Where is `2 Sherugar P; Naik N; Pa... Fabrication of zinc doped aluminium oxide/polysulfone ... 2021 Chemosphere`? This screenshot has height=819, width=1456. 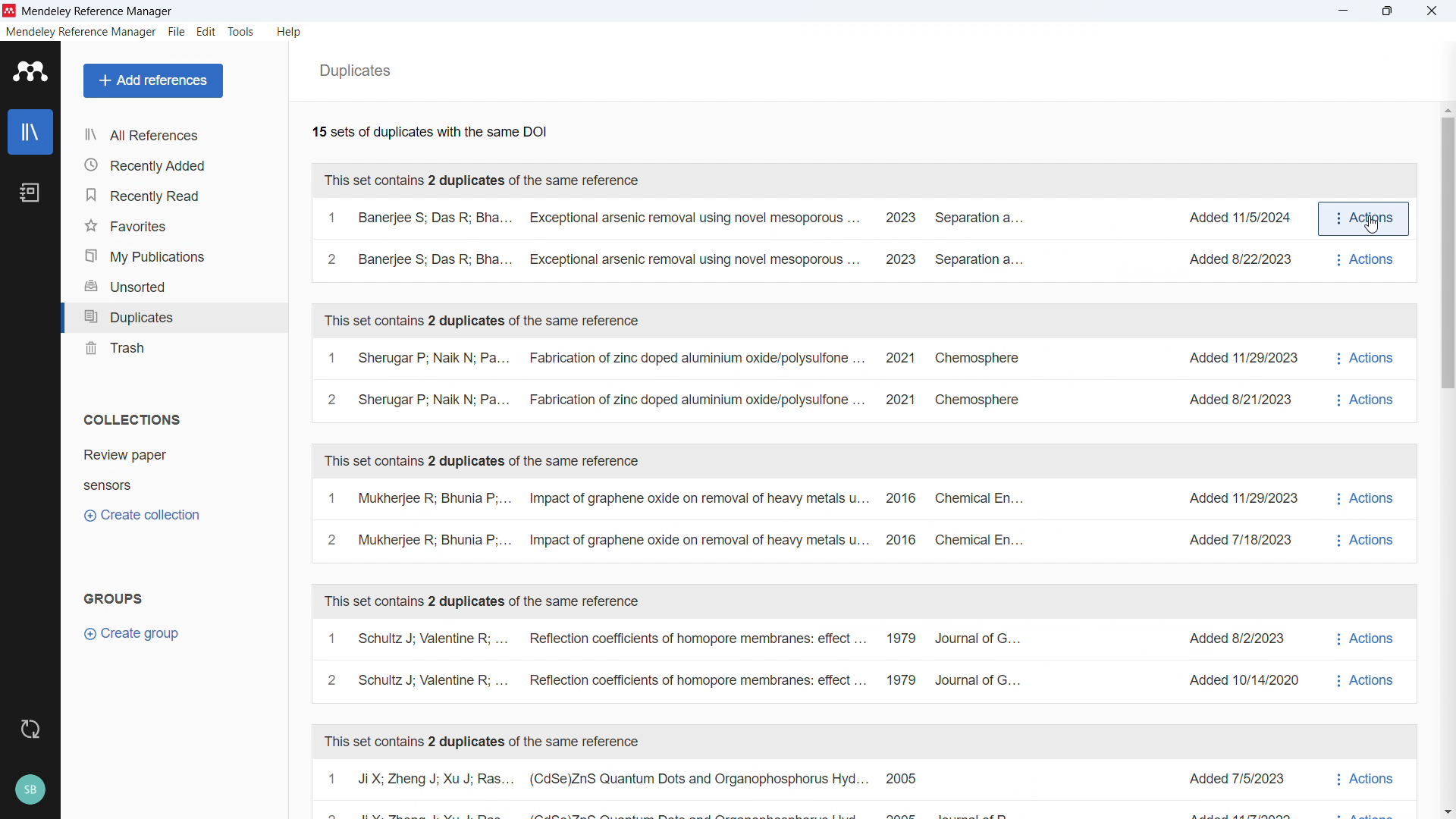
2 Sherugar P; Naik N; Pa... Fabrication of zinc doped aluminium oxide/polysulfone ... 2021 Chemosphere is located at coordinates (676, 398).